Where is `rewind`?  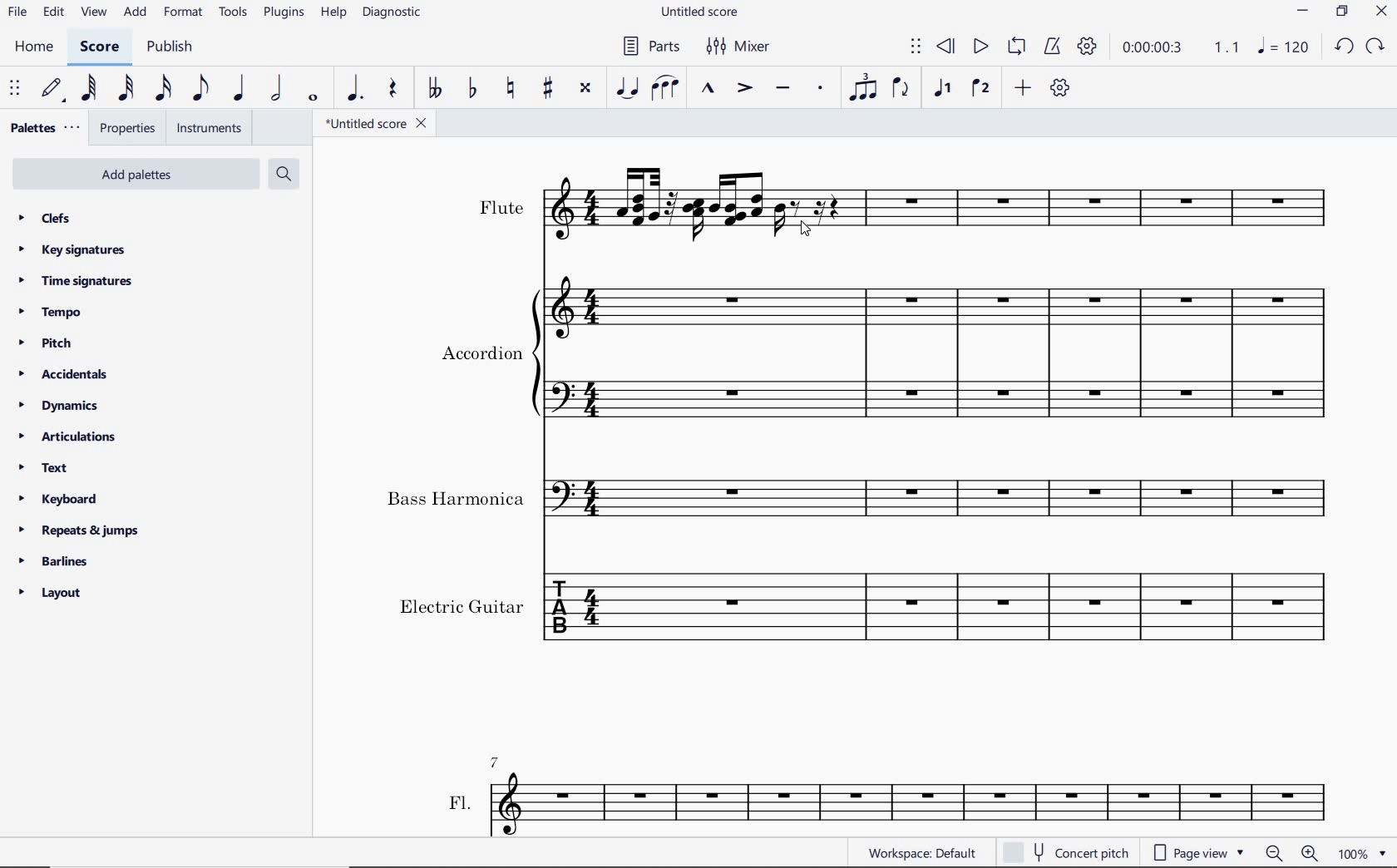
rewind is located at coordinates (946, 47).